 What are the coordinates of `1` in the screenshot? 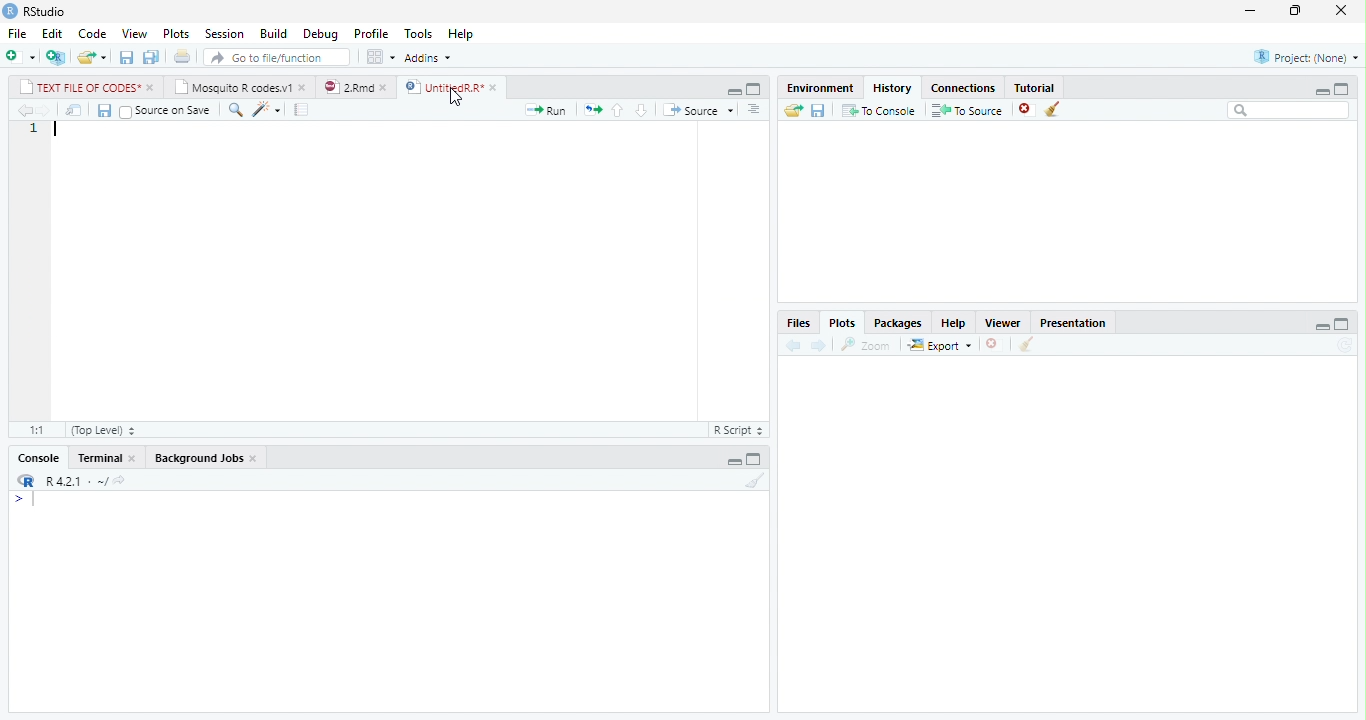 It's located at (34, 129).